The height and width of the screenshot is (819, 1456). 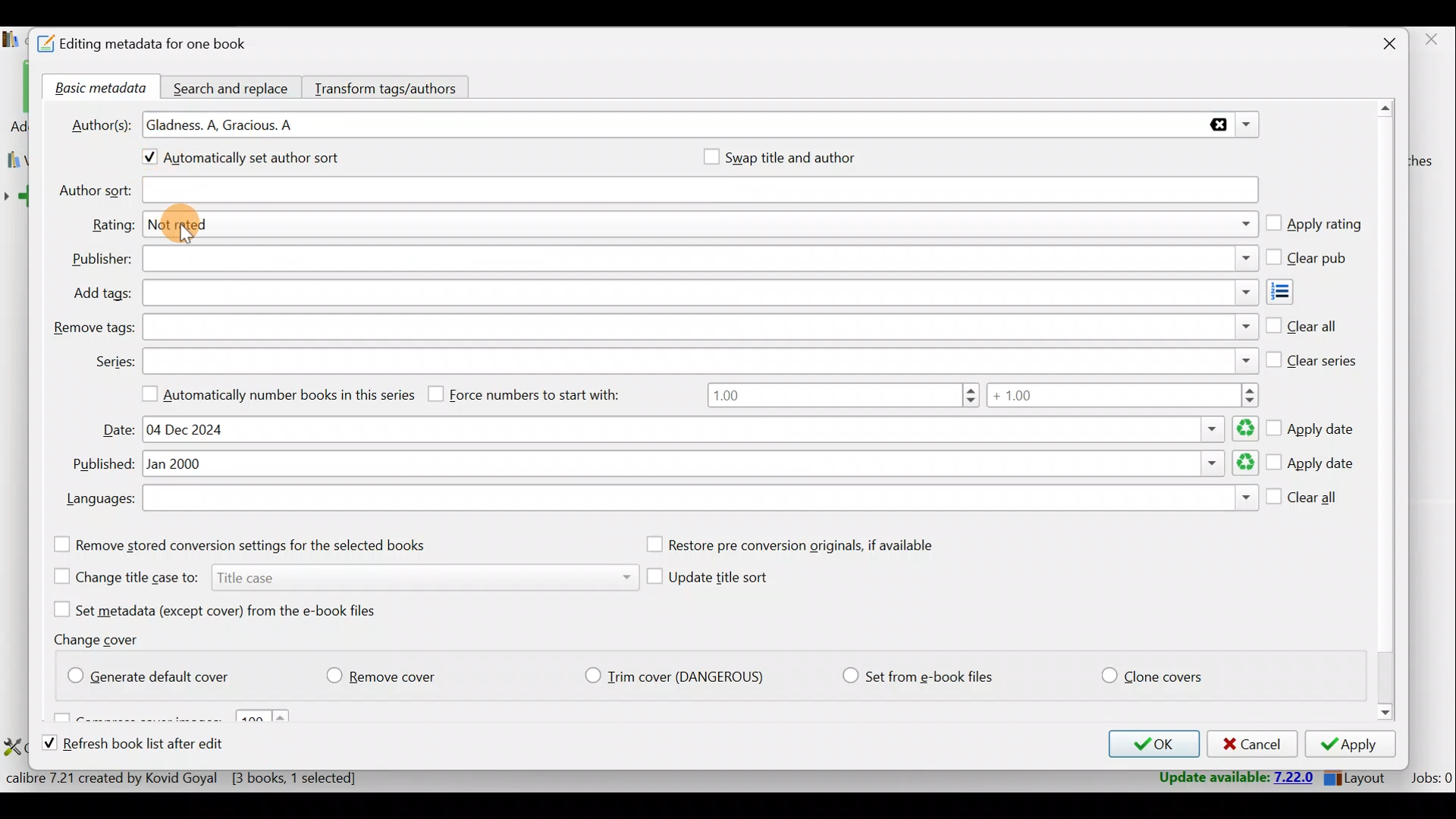 I want to click on Clear series, so click(x=1313, y=357).